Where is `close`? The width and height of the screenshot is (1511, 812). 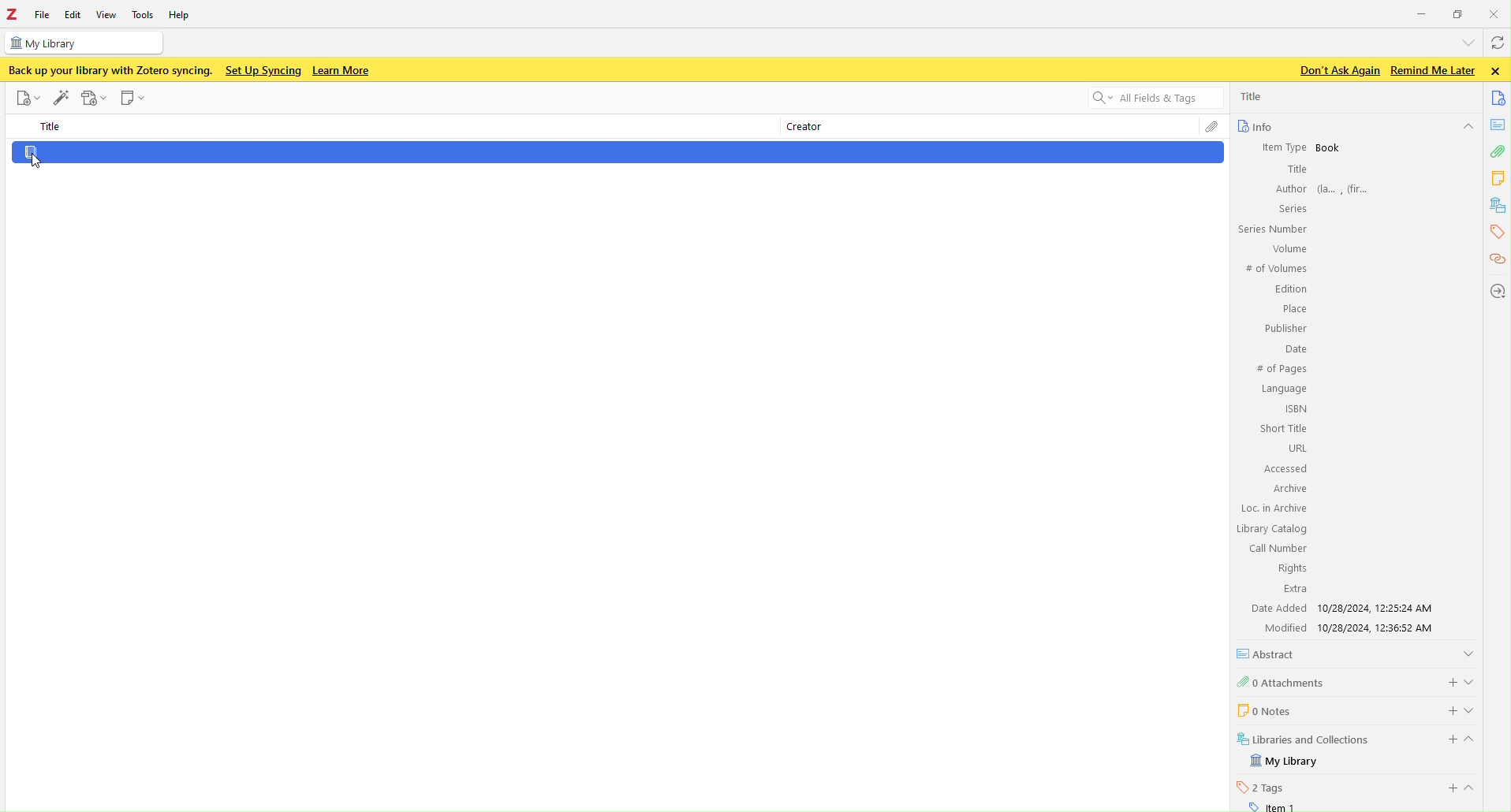
close is located at coordinates (1497, 14).